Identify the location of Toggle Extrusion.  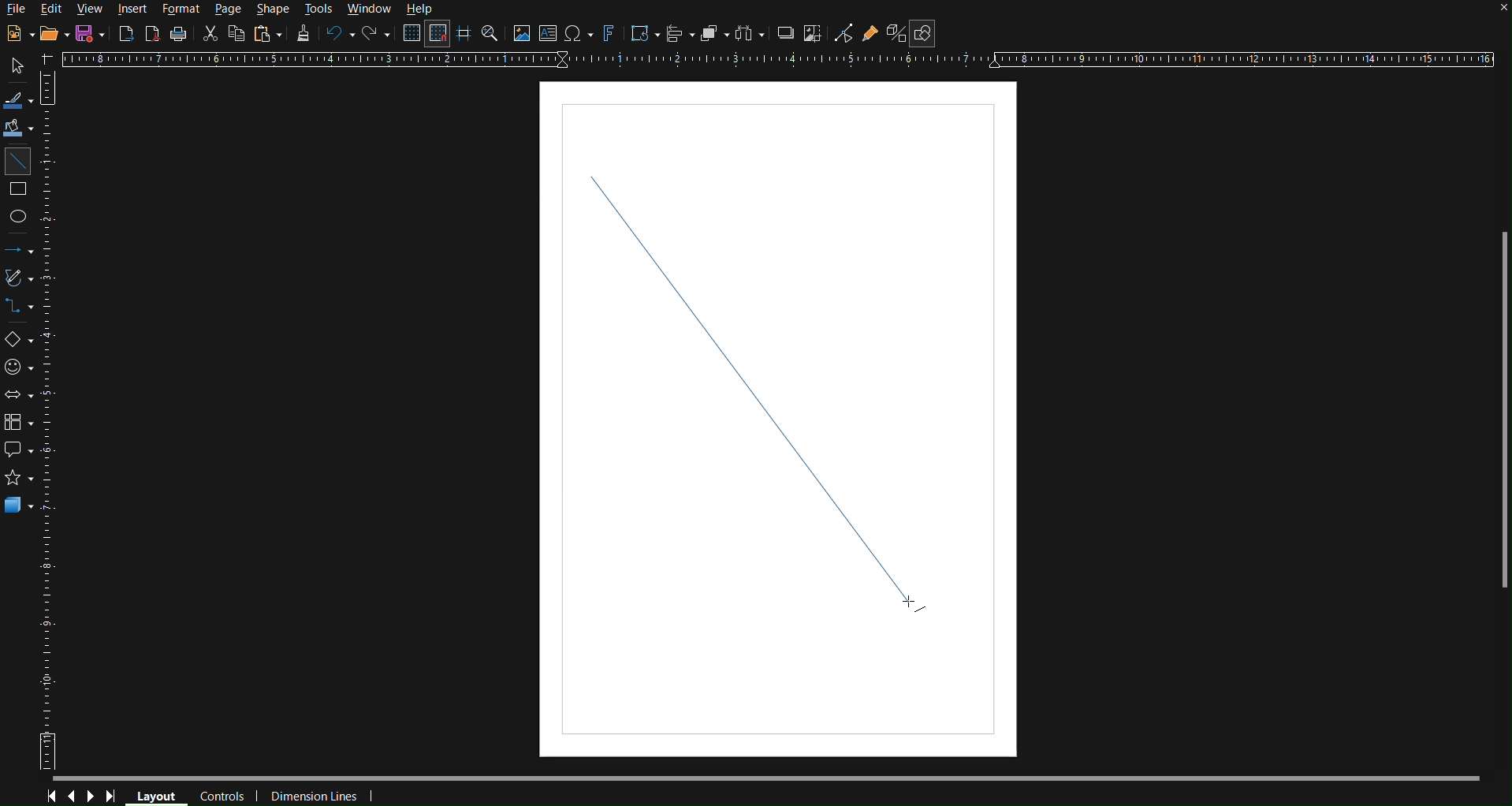
(896, 33).